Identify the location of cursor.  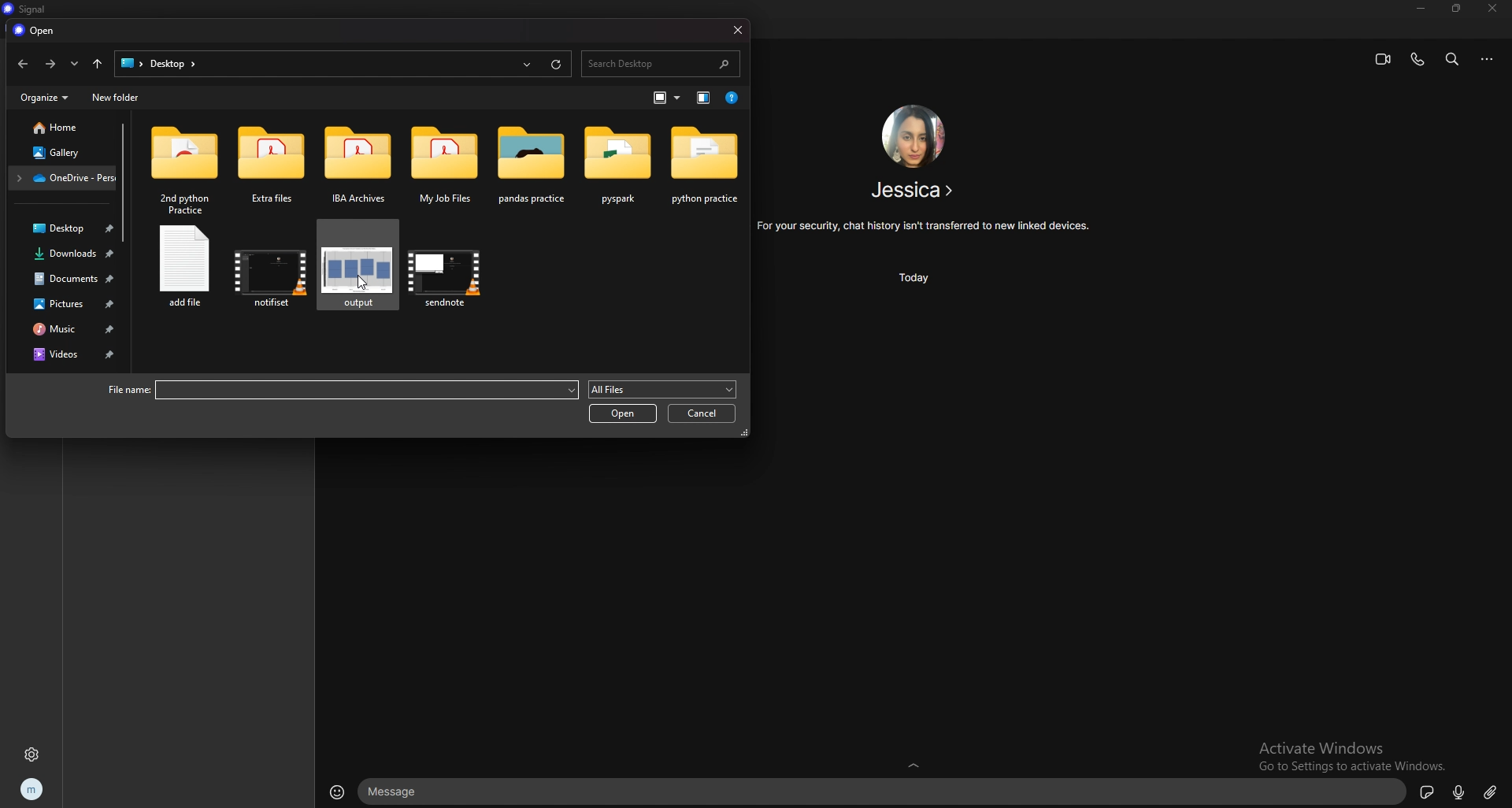
(365, 282).